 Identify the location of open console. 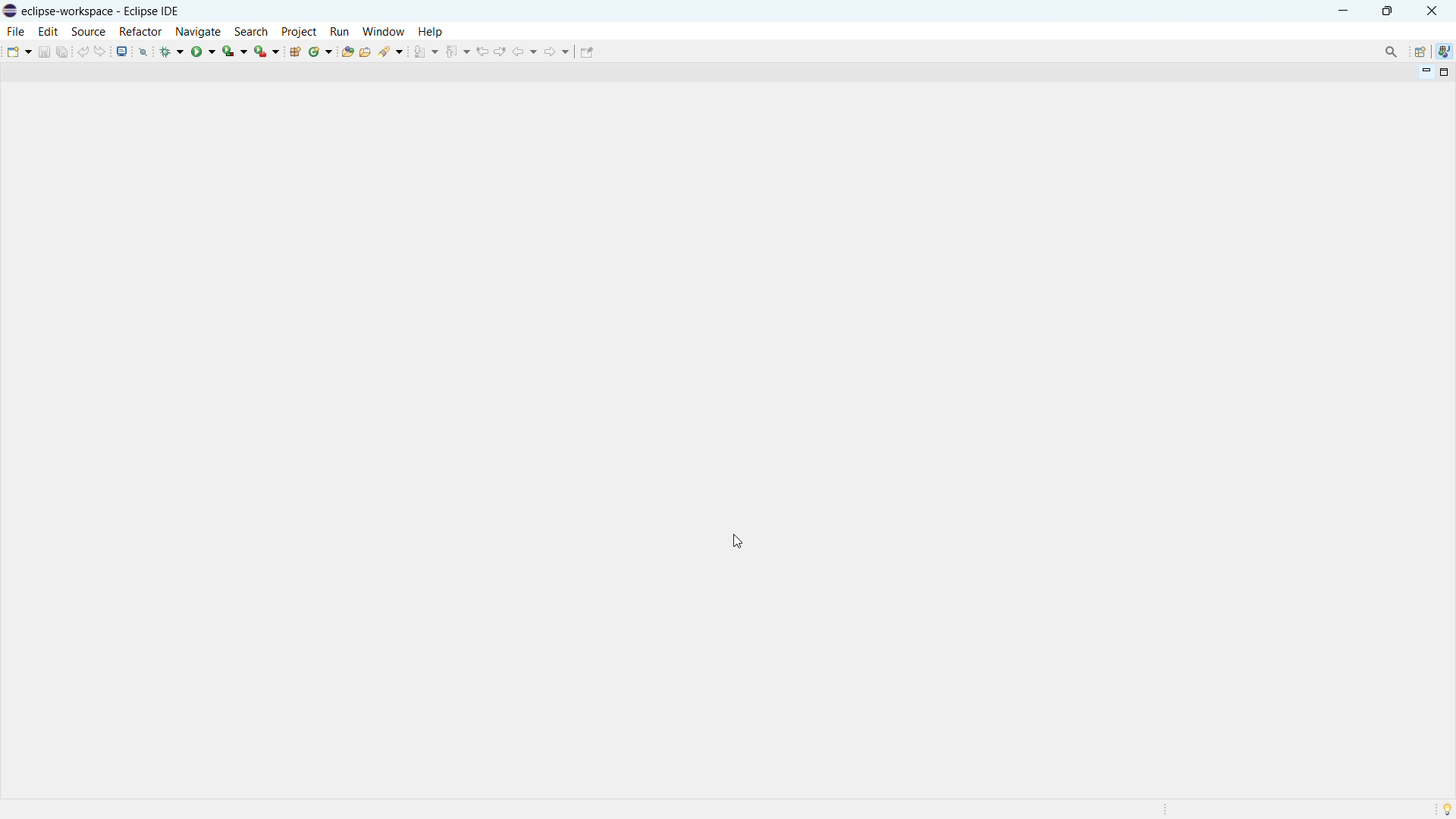
(122, 51).